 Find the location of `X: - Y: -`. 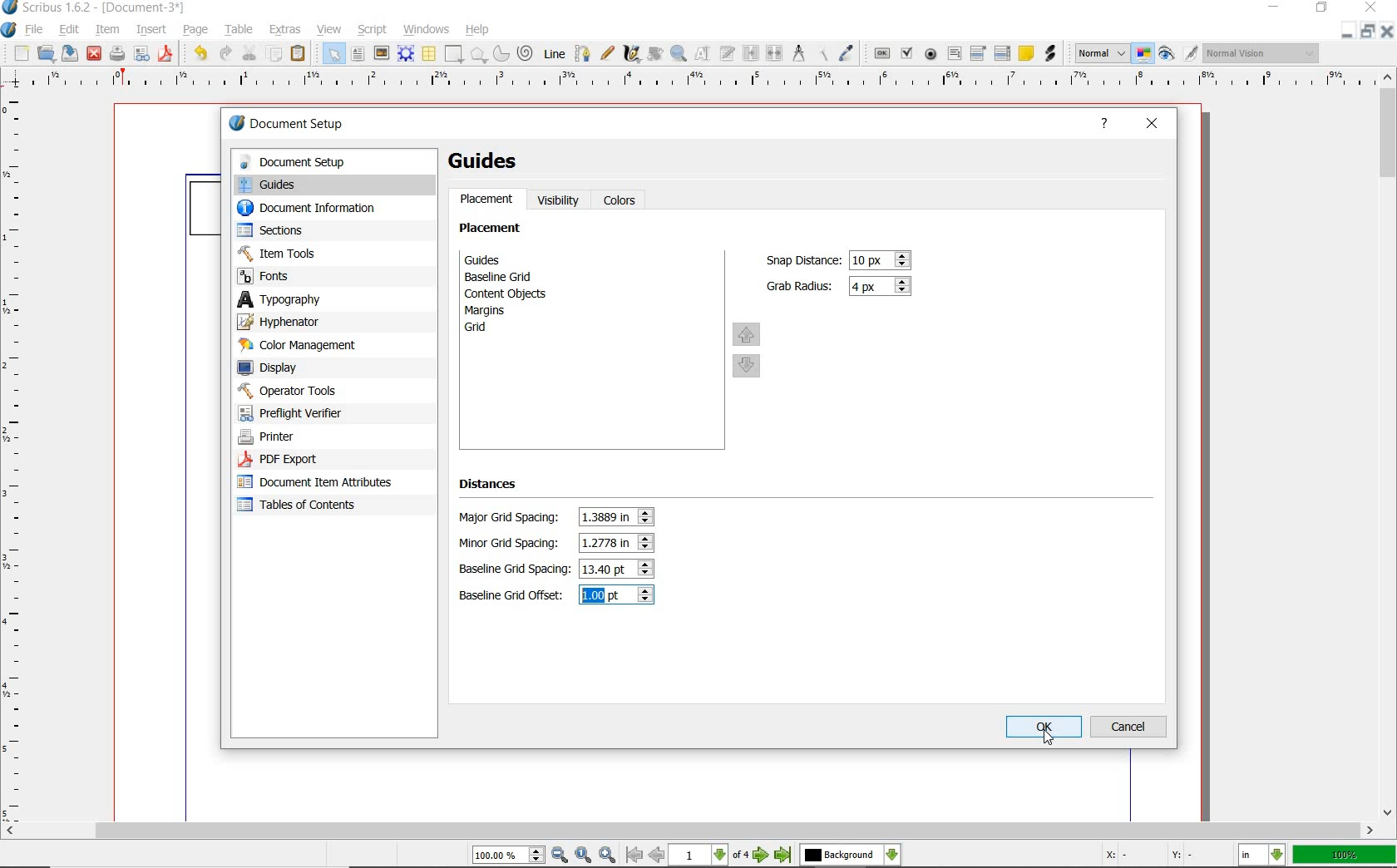

X: - Y: - is located at coordinates (1146, 855).